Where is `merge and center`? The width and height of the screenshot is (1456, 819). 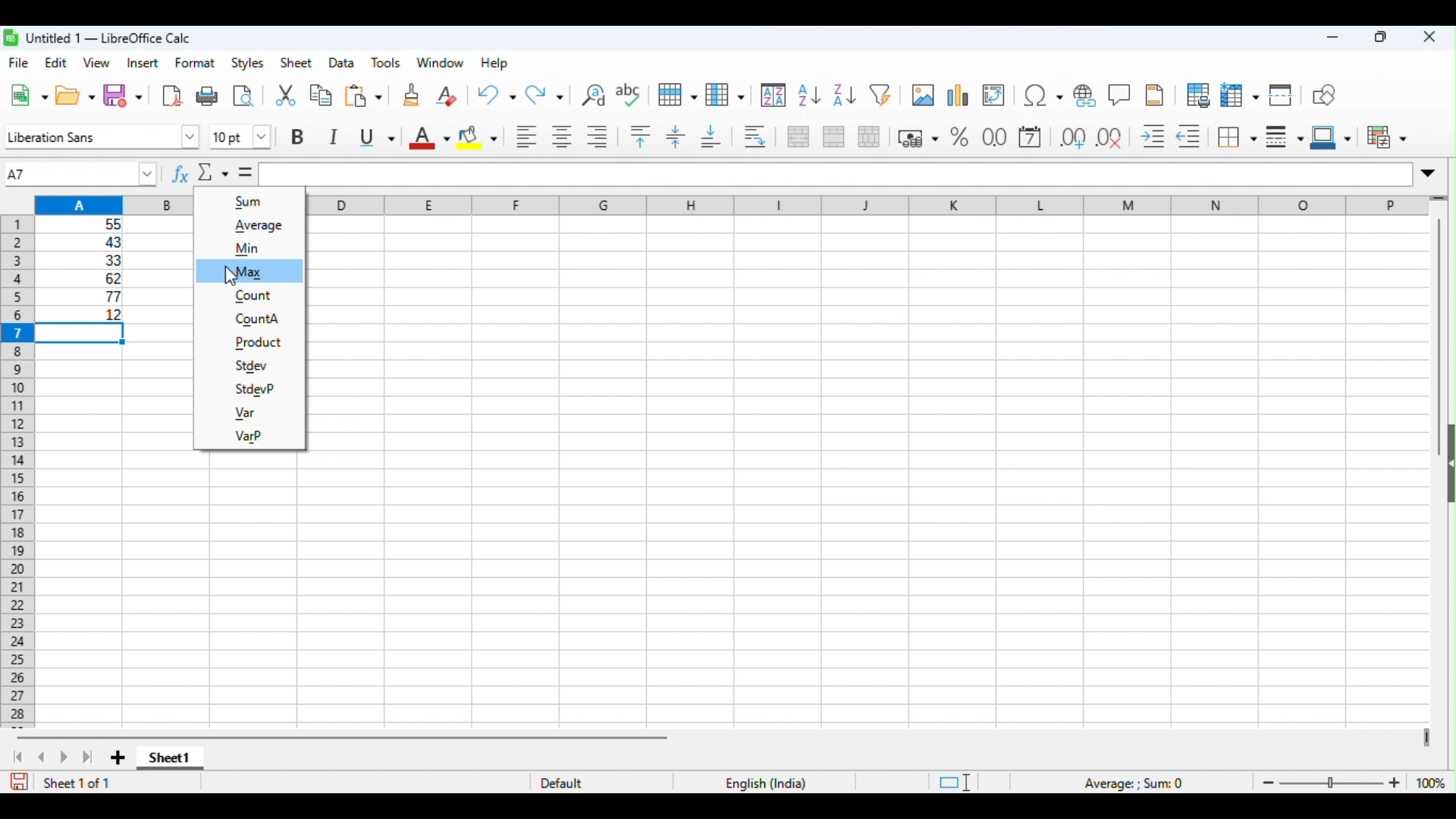 merge and center is located at coordinates (798, 136).